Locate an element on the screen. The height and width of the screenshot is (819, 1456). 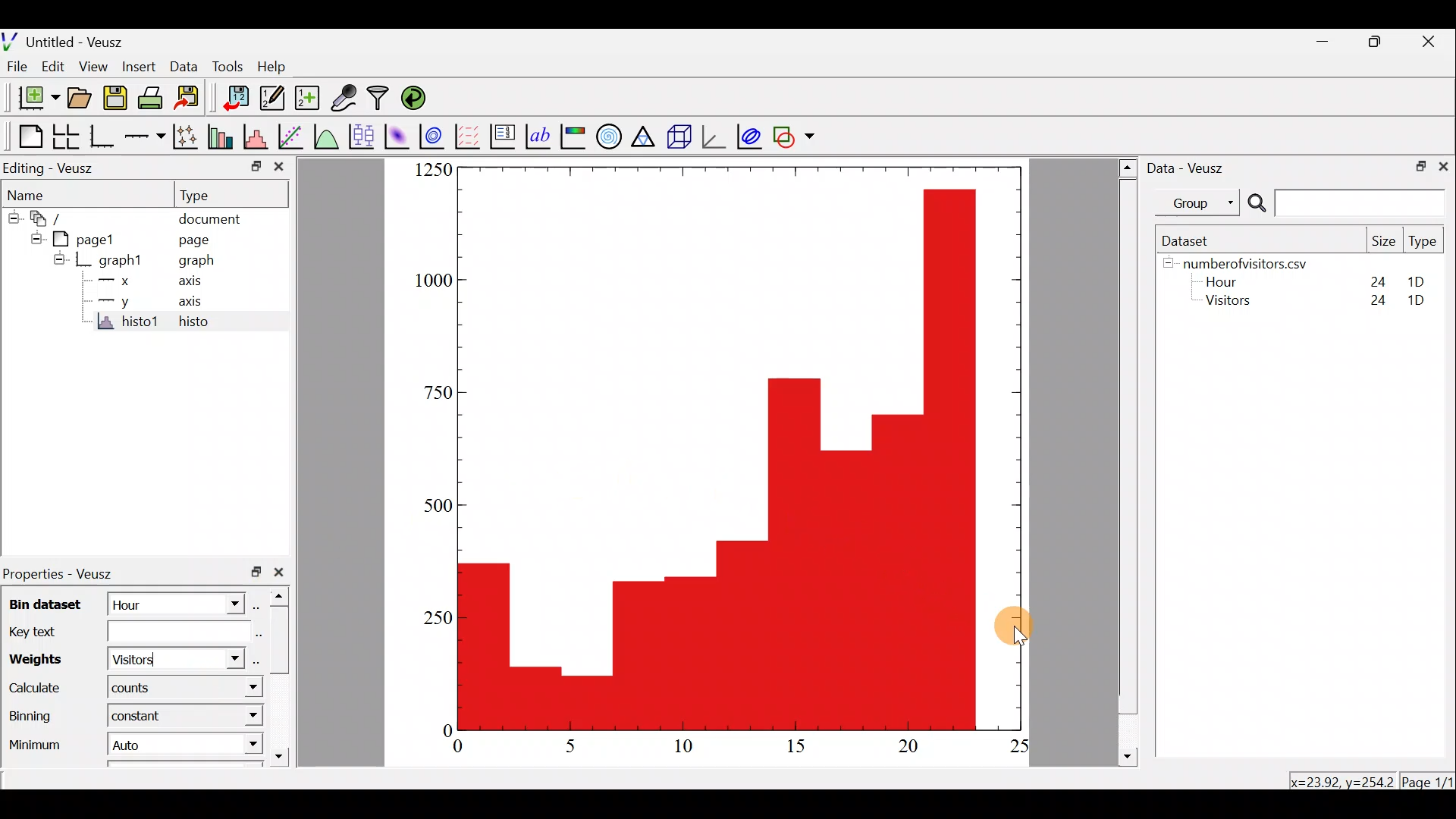
close is located at coordinates (1443, 168).